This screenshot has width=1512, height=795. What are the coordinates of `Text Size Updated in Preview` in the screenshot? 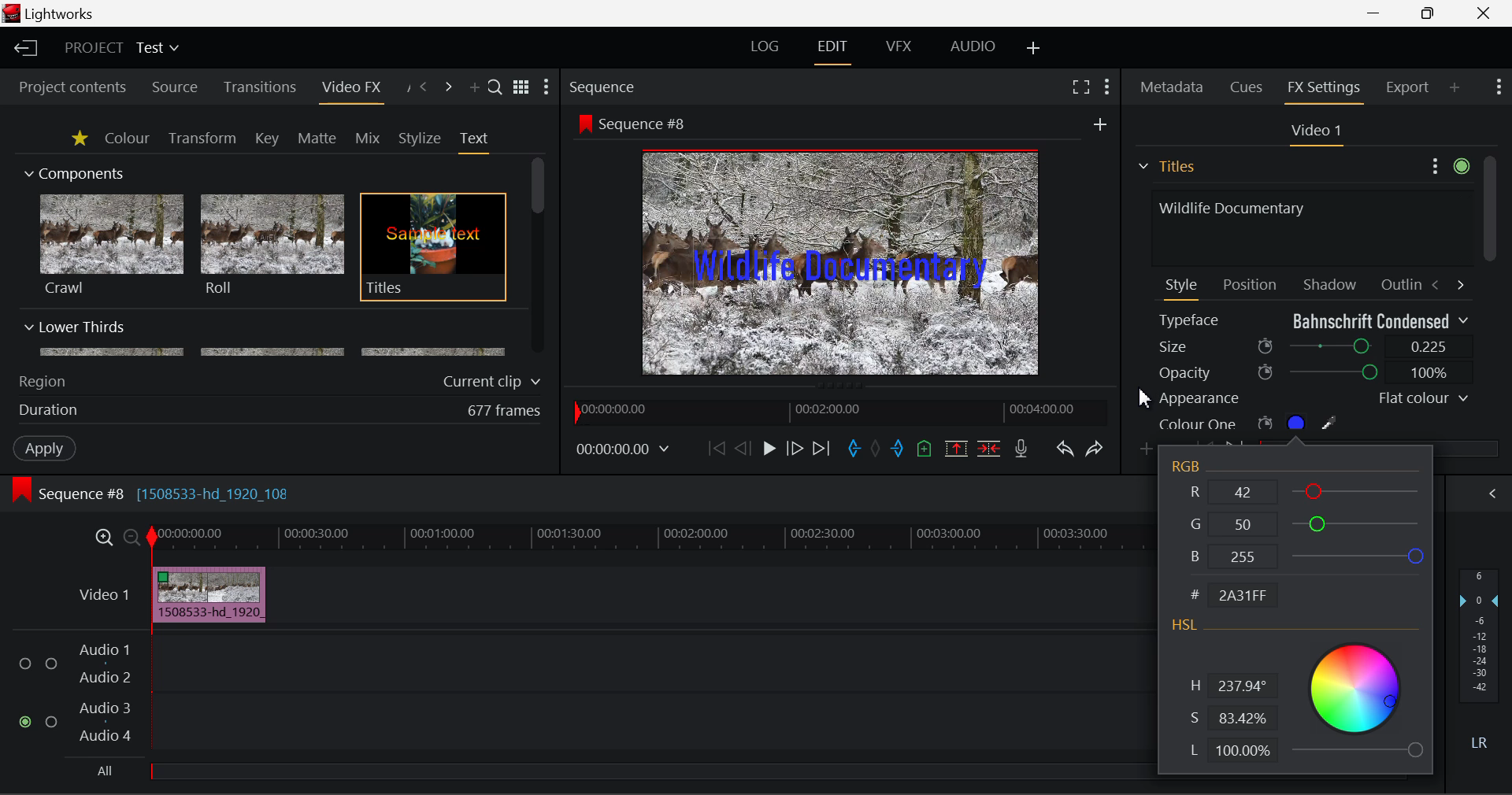 It's located at (844, 265).